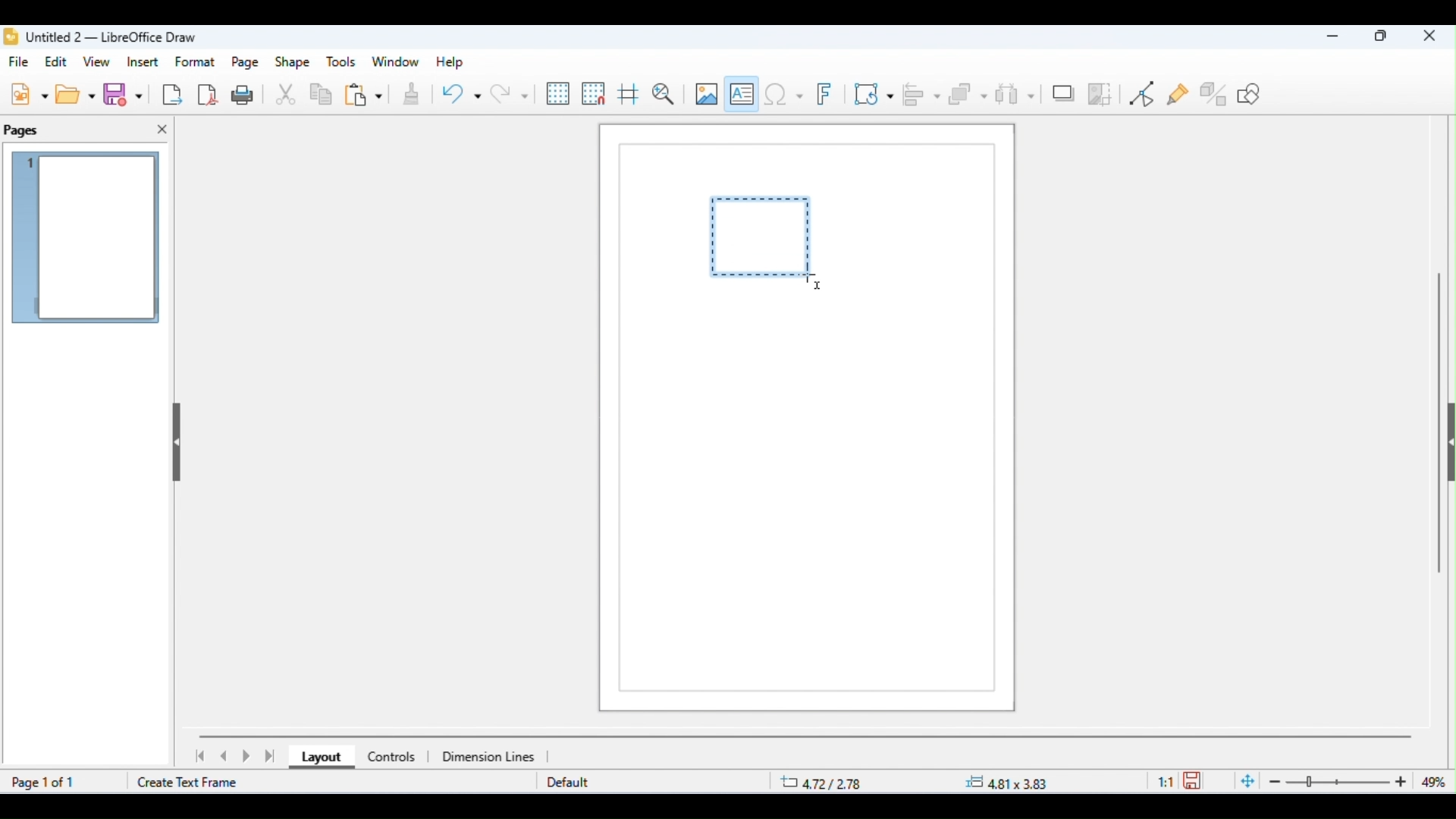 Image resolution: width=1456 pixels, height=819 pixels. What do you see at coordinates (396, 62) in the screenshot?
I see `window` at bounding box center [396, 62].